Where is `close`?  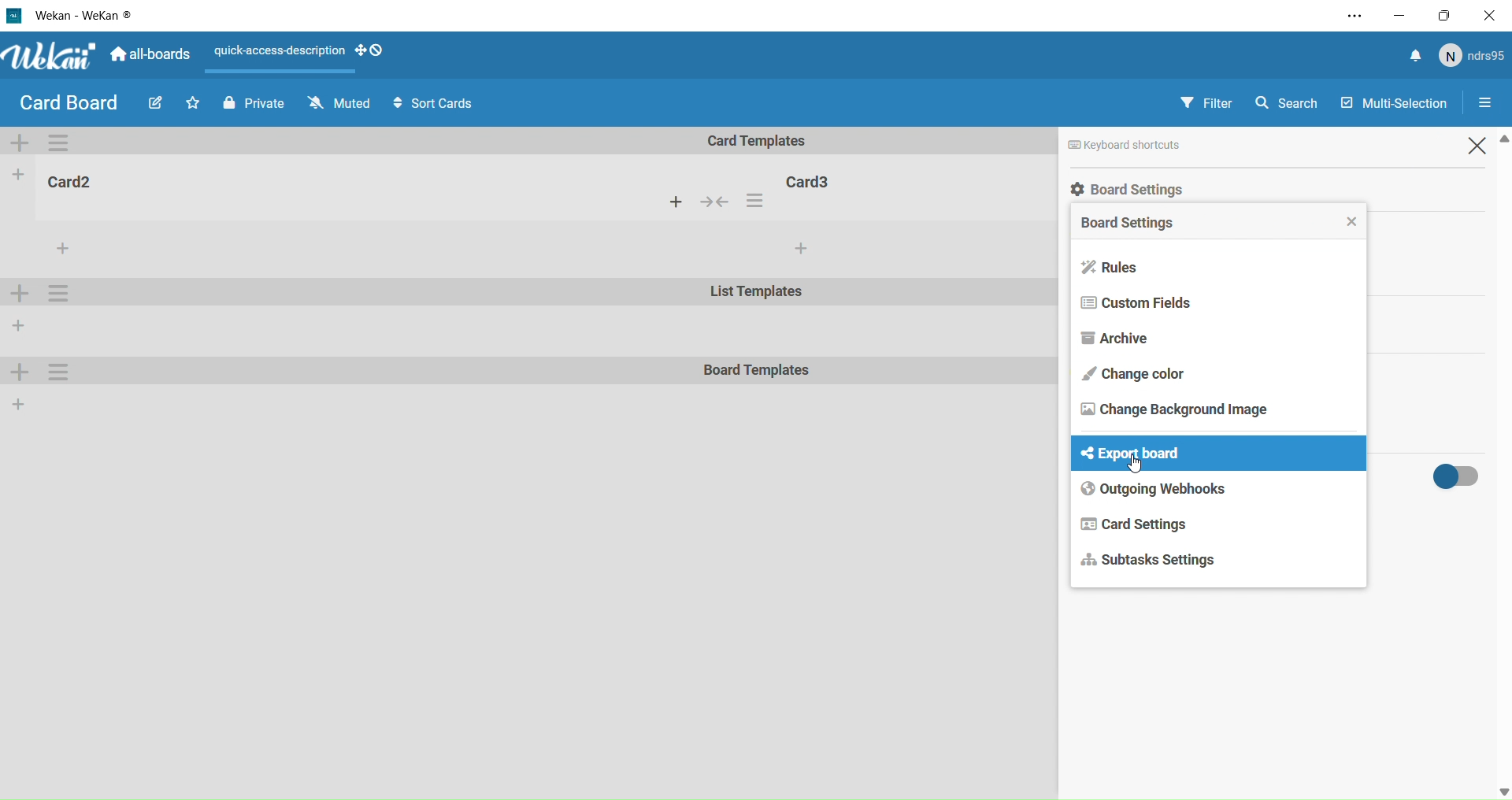
close is located at coordinates (1352, 223).